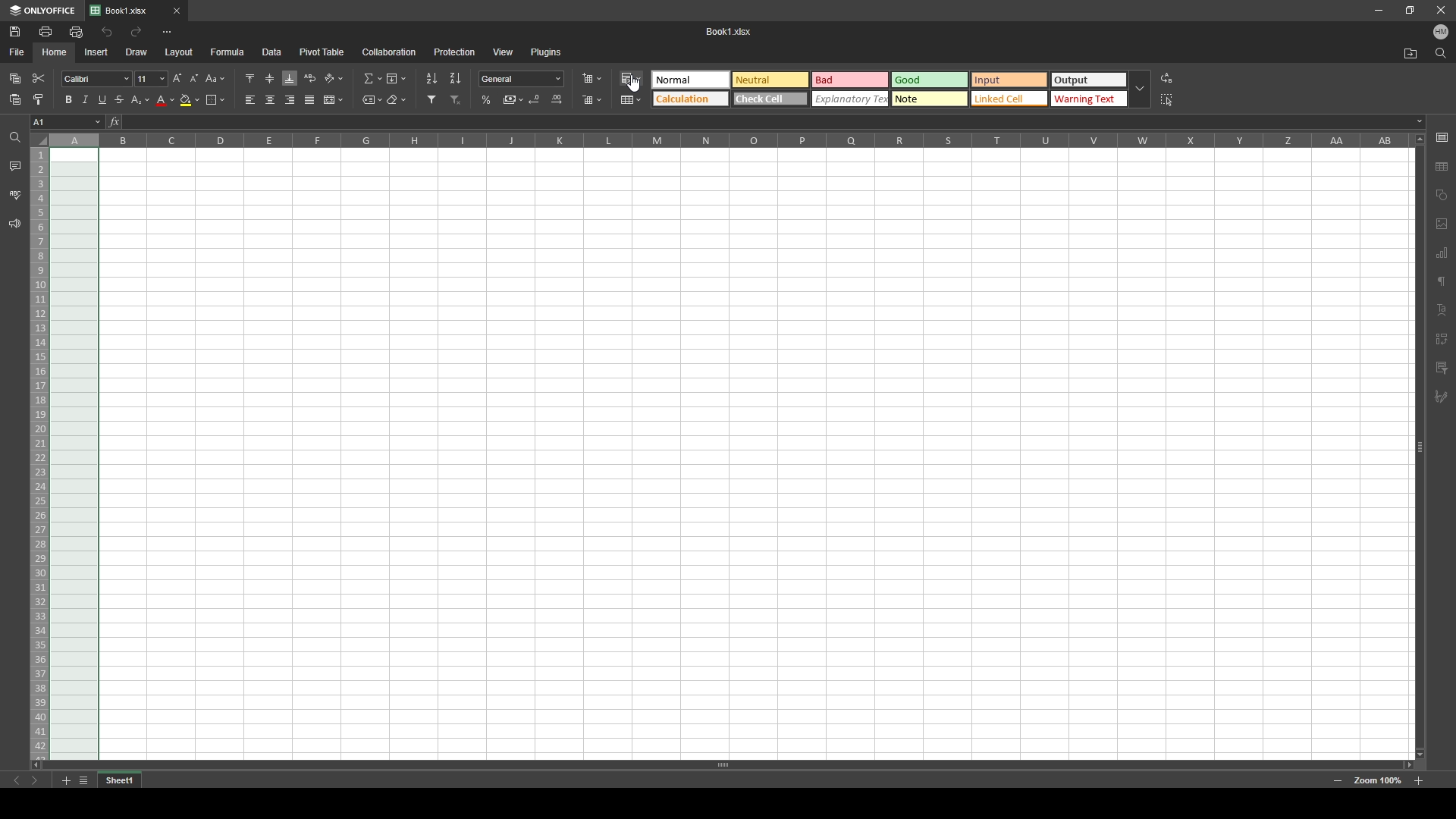 The width and height of the screenshot is (1456, 819). Describe the element at coordinates (486, 99) in the screenshot. I see `percentage style` at that location.